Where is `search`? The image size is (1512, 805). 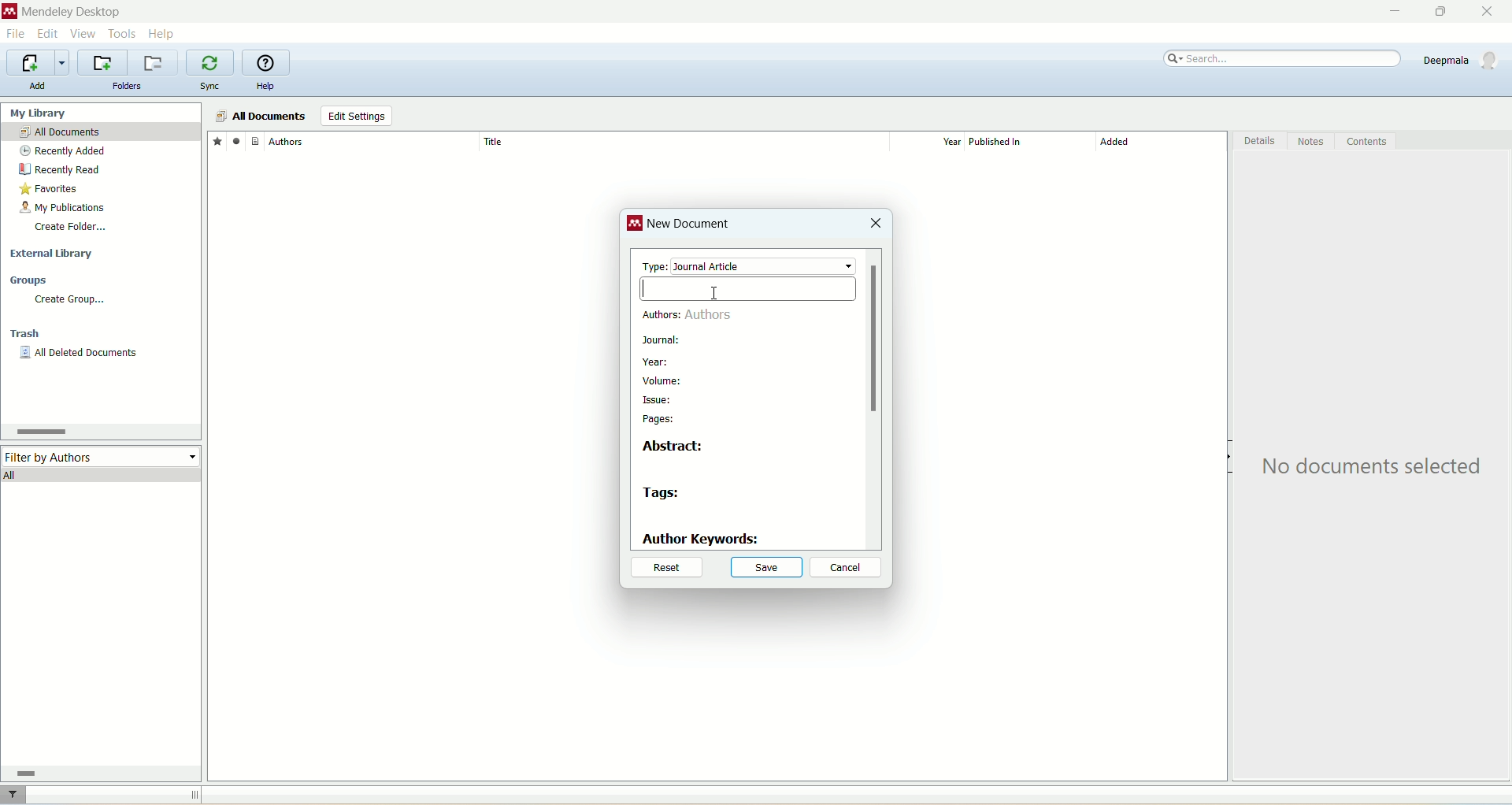 search is located at coordinates (1284, 59).